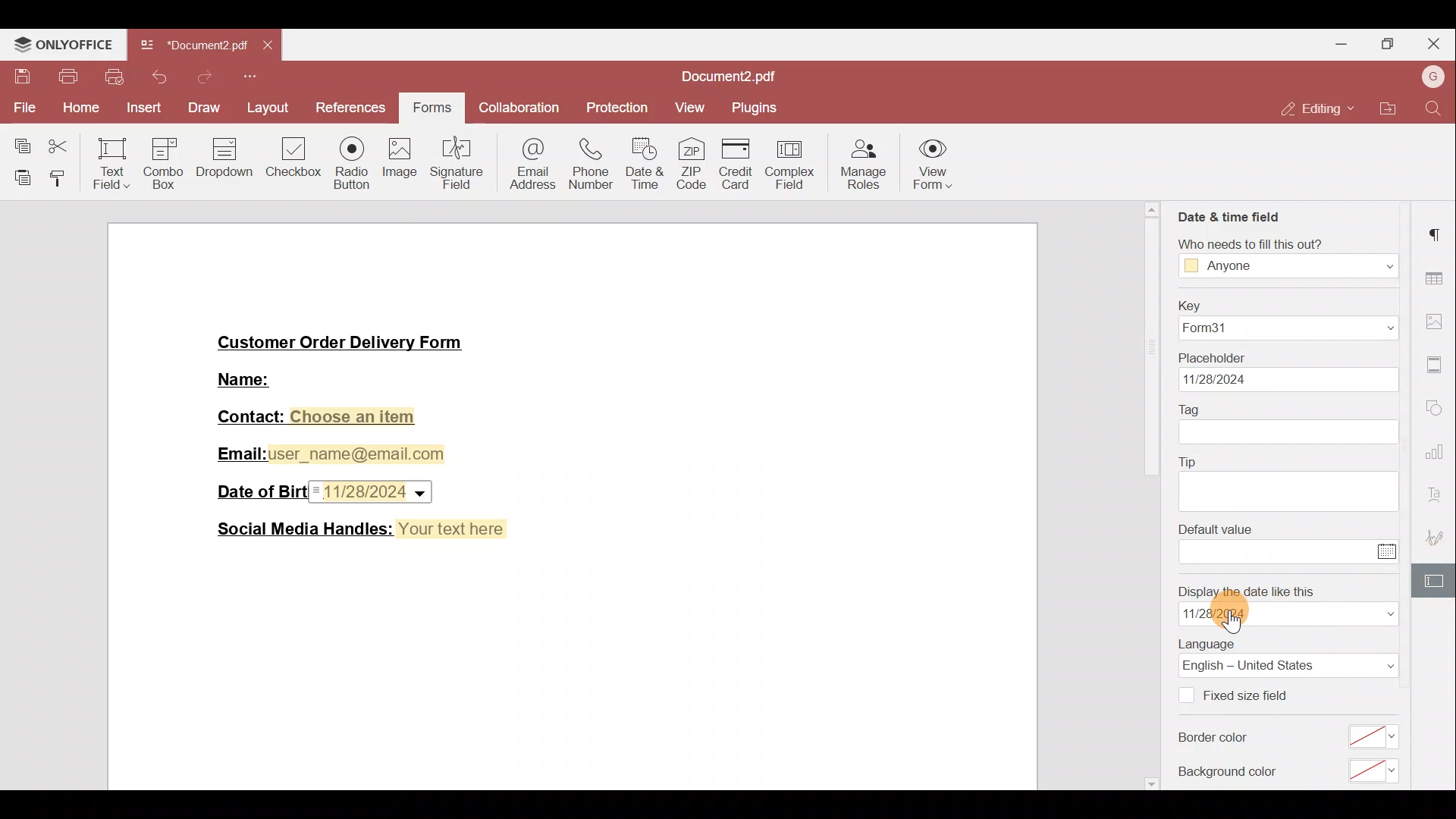 This screenshot has width=1456, height=819. Describe the element at coordinates (1290, 433) in the screenshot. I see `tag` at that location.